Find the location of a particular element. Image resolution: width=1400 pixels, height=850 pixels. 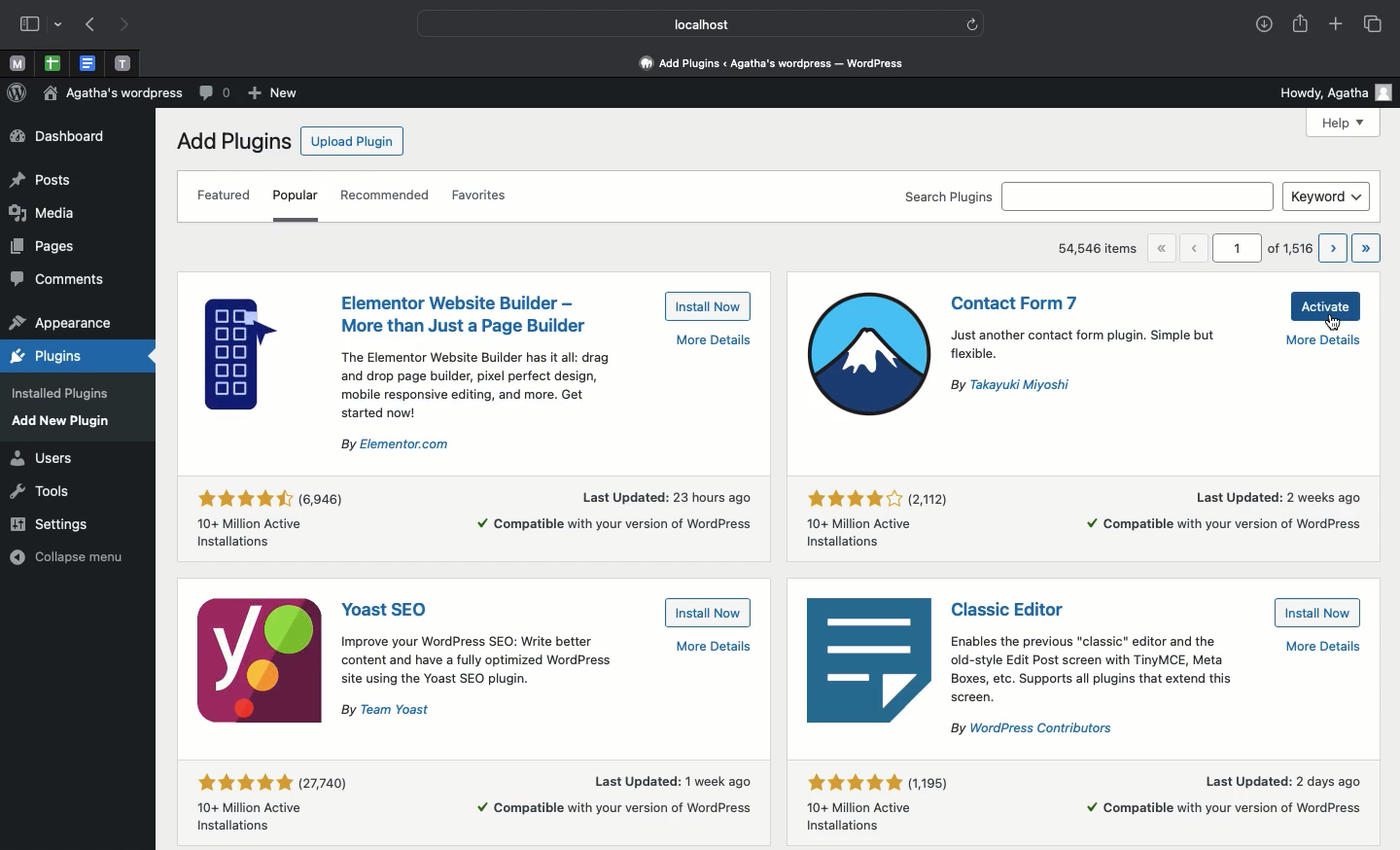

More details is located at coordinates (1225, 514).